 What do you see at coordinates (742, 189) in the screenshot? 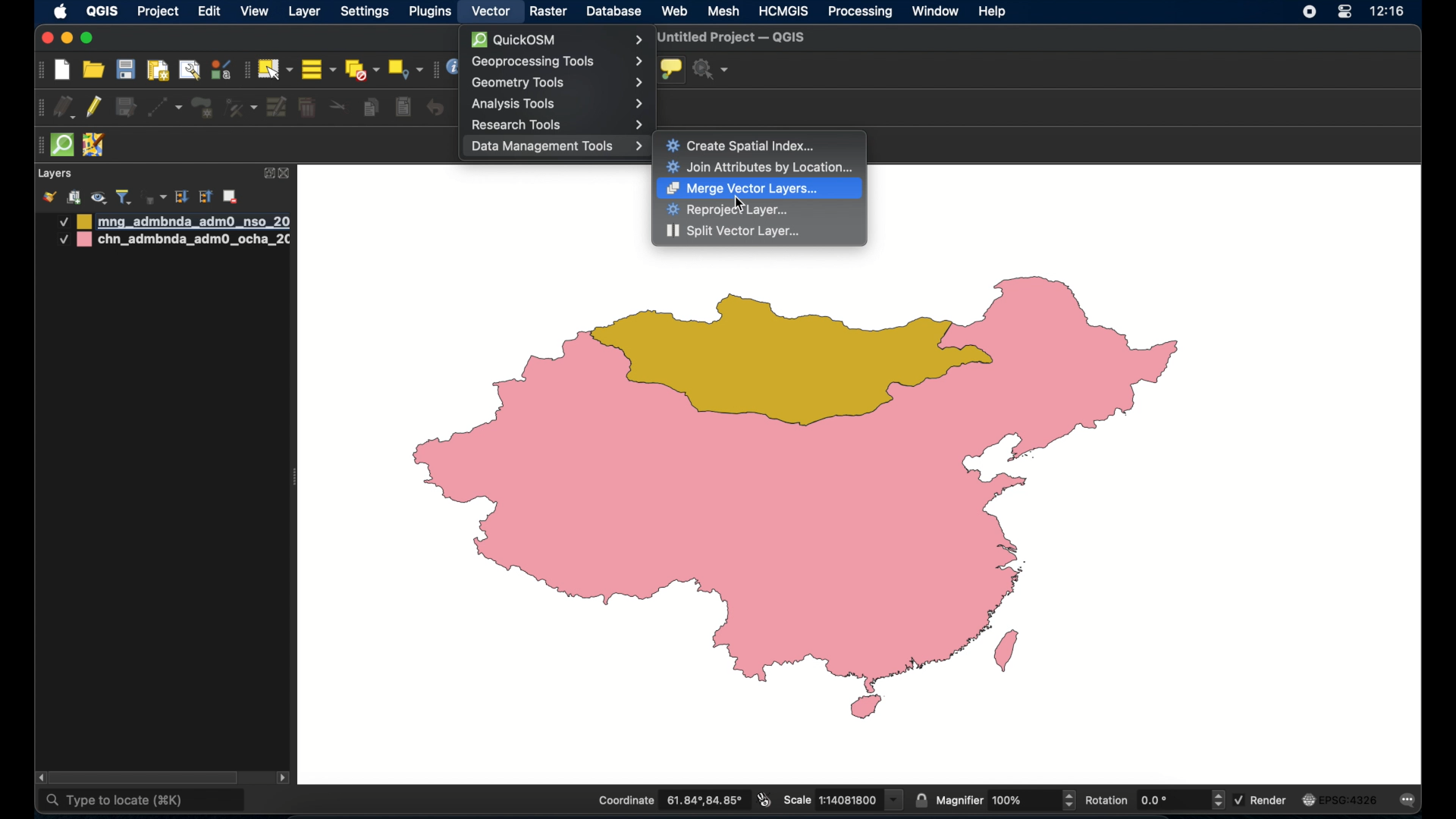
I see `merge vector layers` at bounding box center [742, 189].